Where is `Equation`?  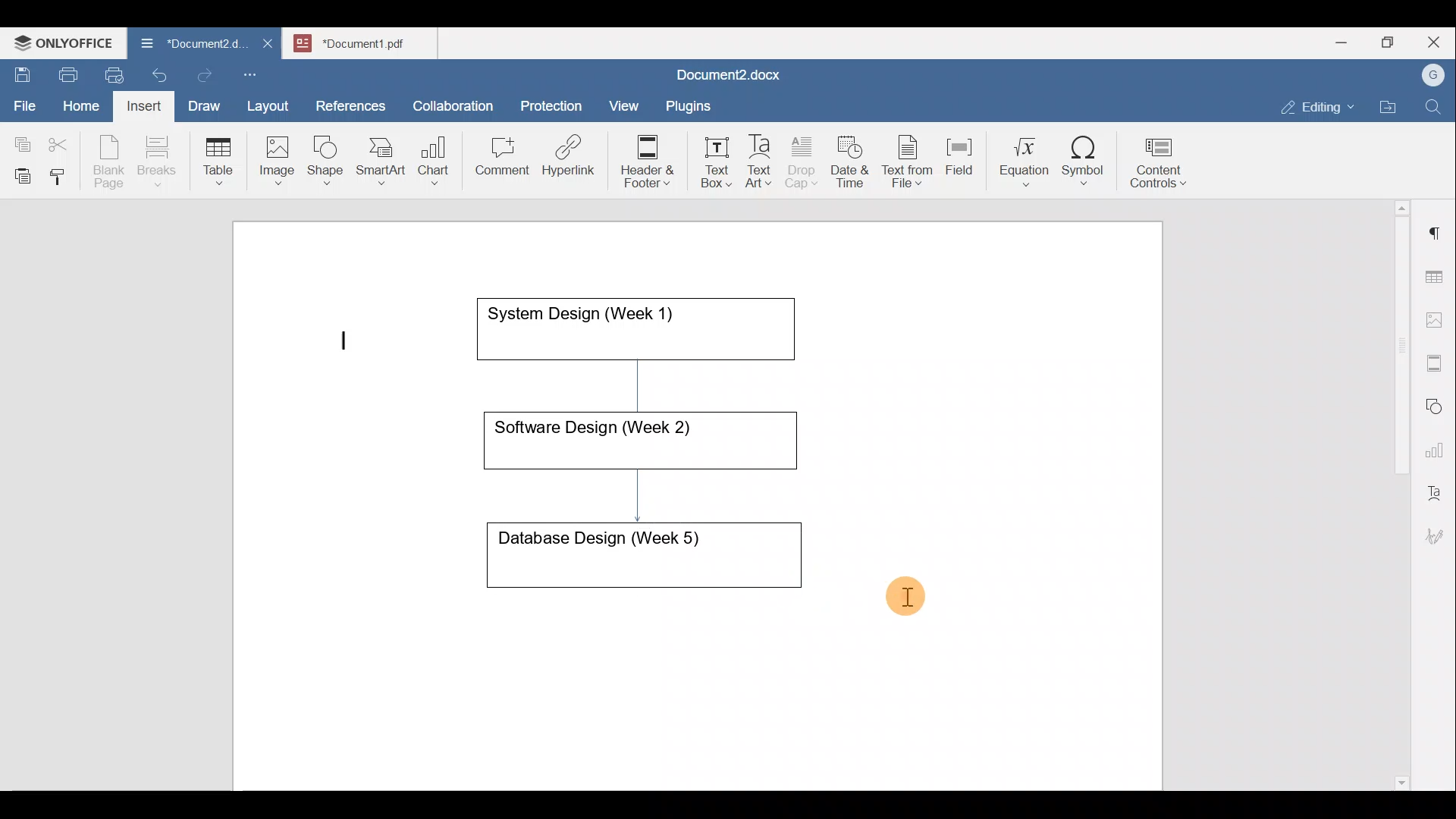 Equation is located at coordinates (1028, 161).